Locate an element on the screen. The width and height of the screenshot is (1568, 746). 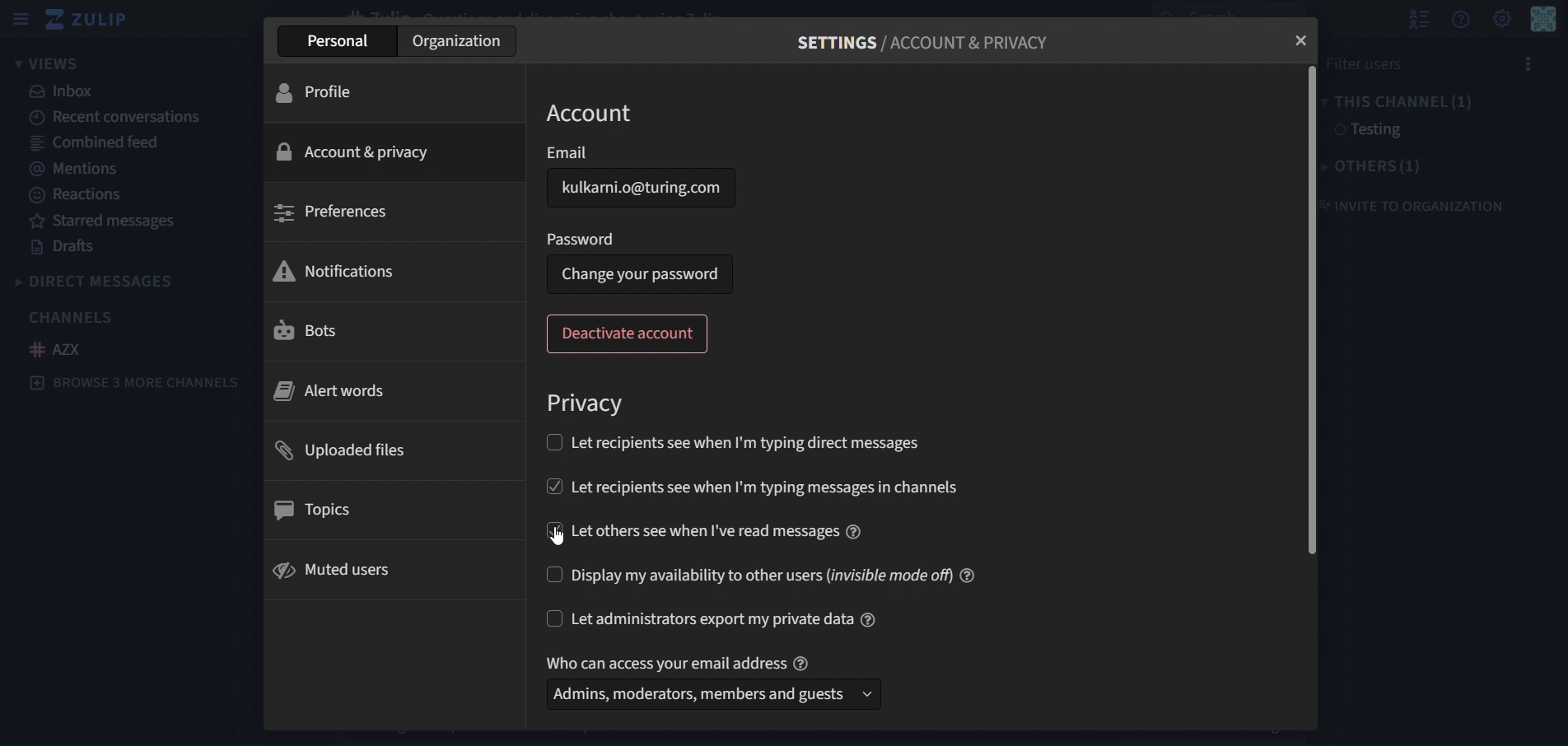
organization is located at coordinates (459, 42).